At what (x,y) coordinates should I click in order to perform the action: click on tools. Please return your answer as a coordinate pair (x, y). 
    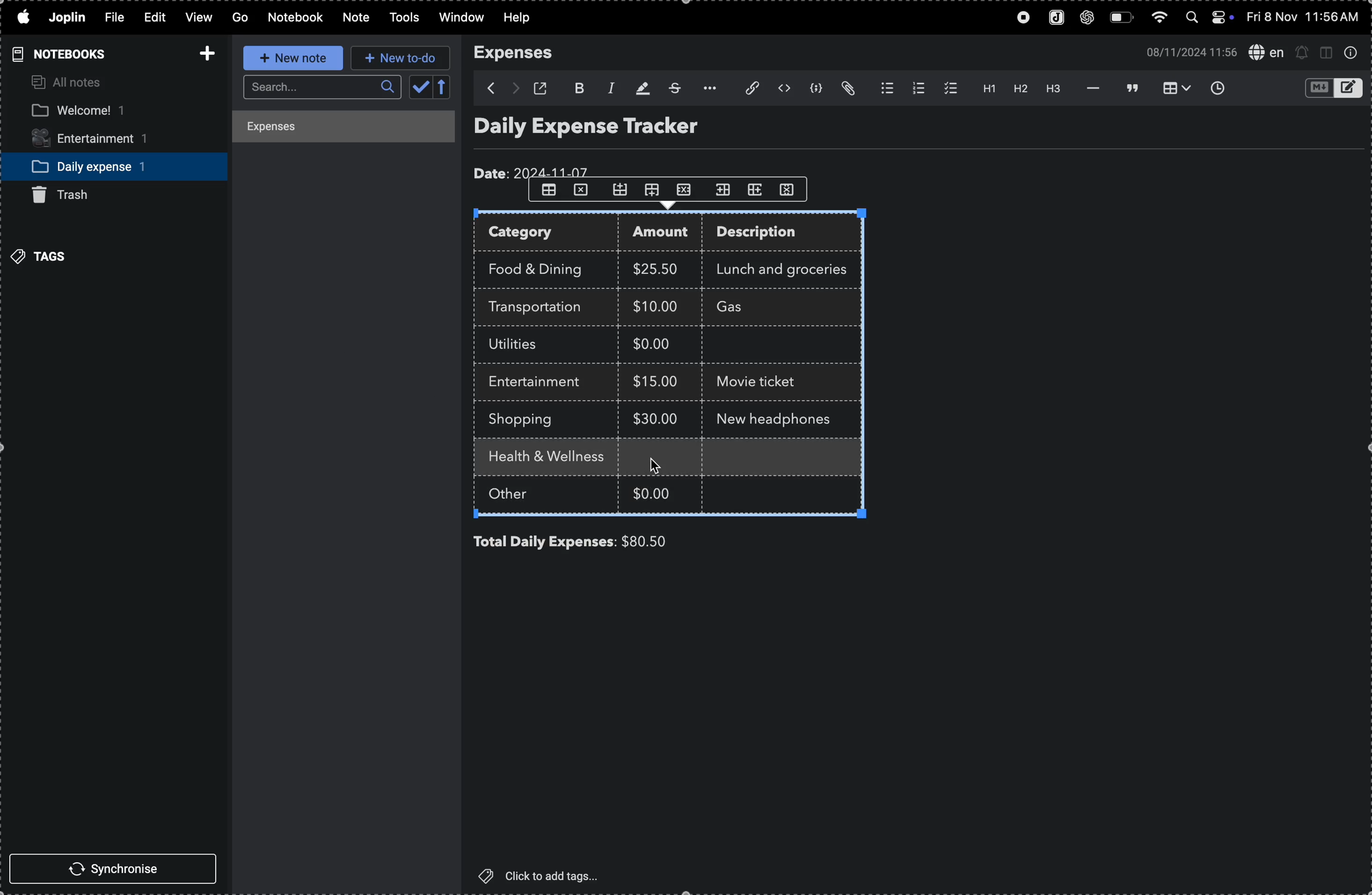
    Looking at the image, I should click on (401, 18).